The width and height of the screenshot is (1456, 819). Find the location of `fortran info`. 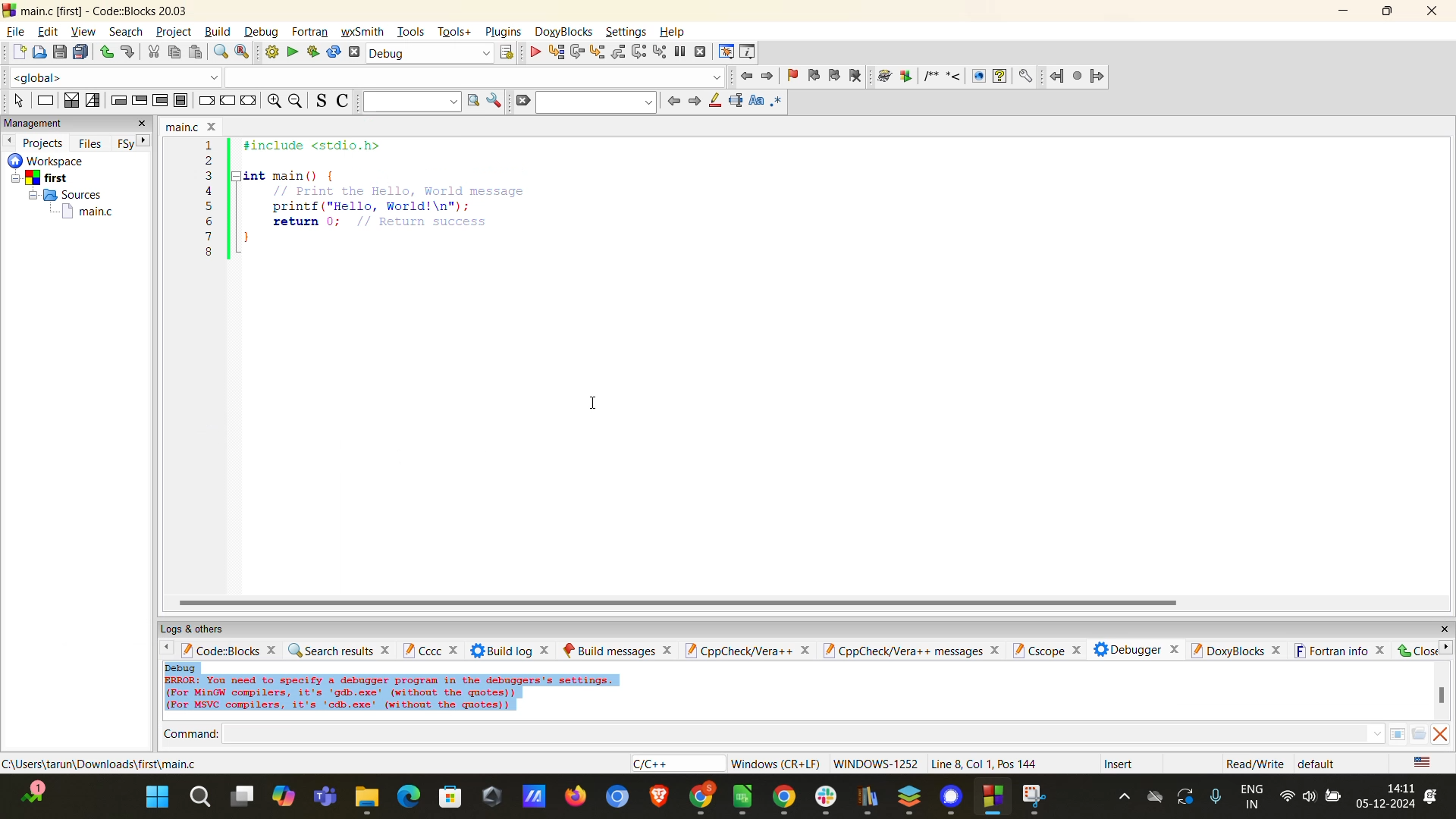

fortran info is located at coordinates (1338, 647).